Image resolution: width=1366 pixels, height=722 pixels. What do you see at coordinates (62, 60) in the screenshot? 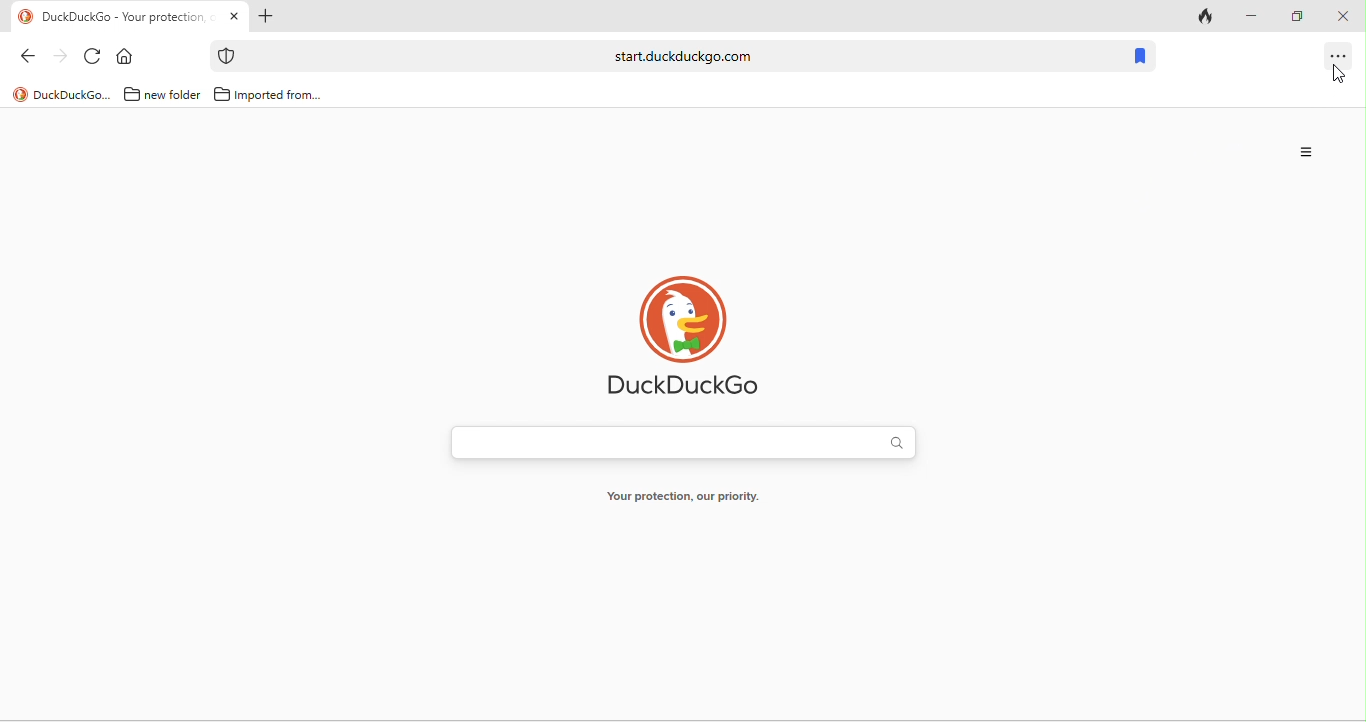
I see `forward` at bounding box center [62, 60].